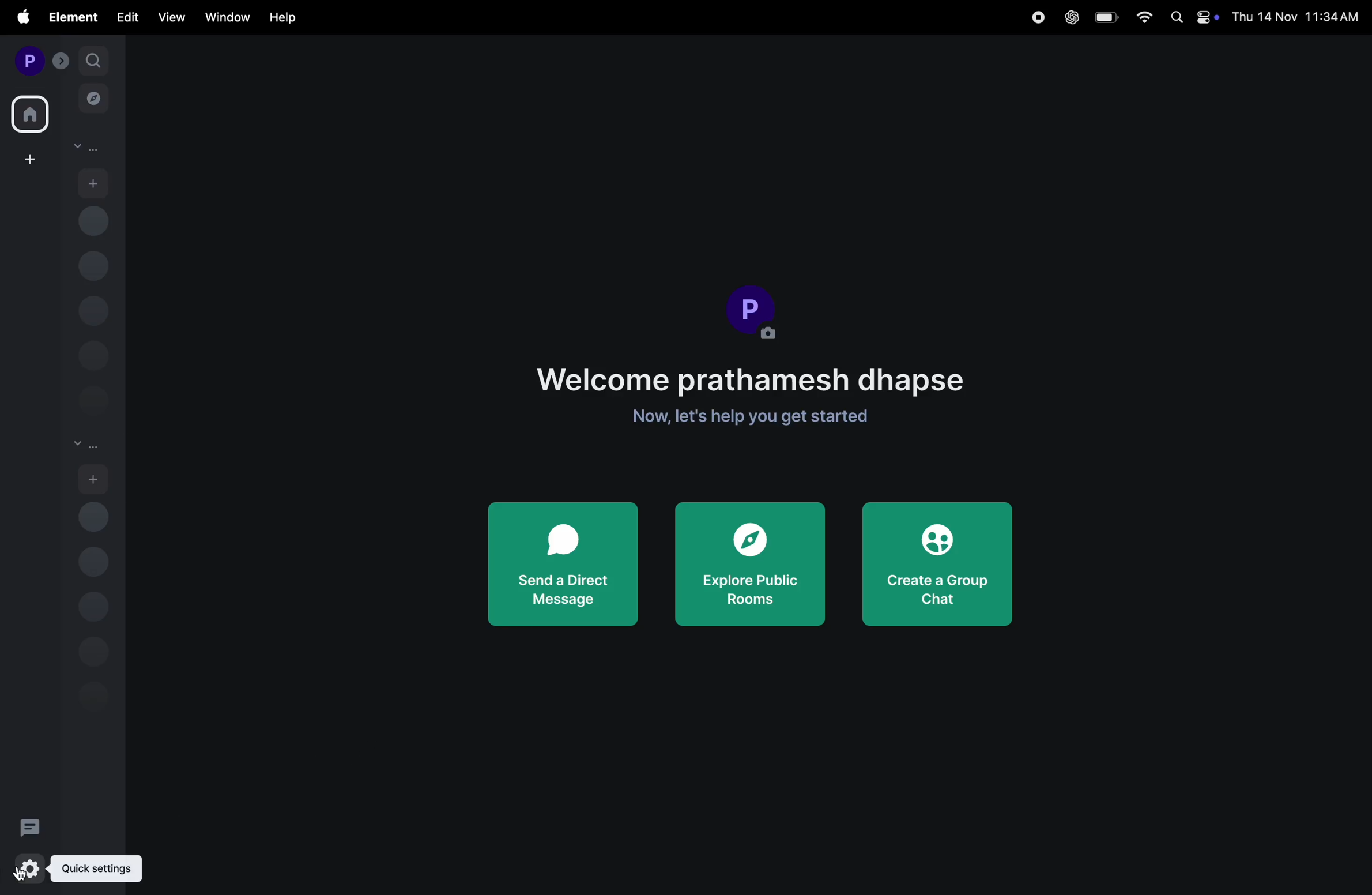 Image resolution: width=1372 pixels, height=895 pixels. Describe the element at coordinates (70, 16) in the screenshot. I see `element` at that location.